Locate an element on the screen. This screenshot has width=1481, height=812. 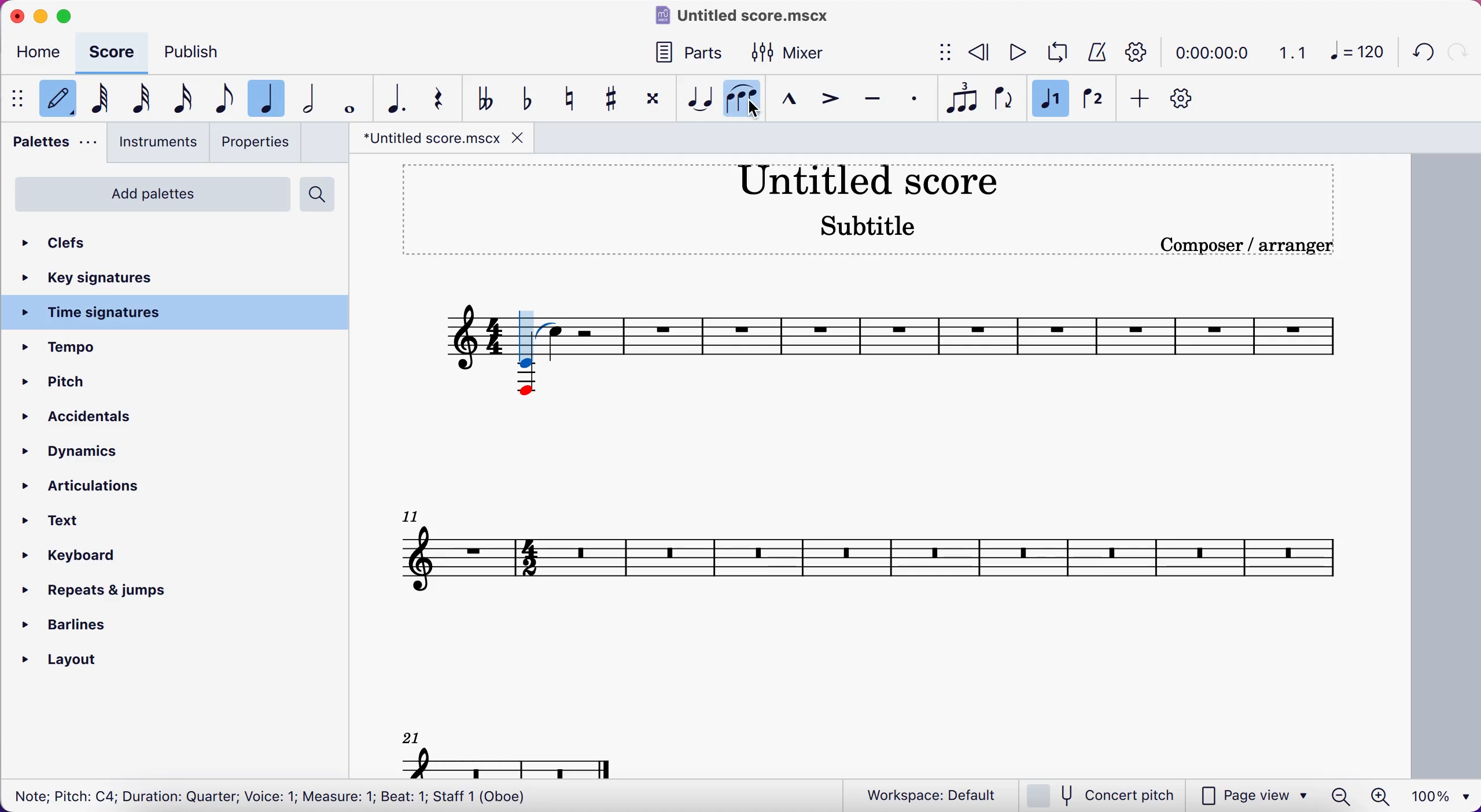
zoom out is located at coordinates (1341, 796).